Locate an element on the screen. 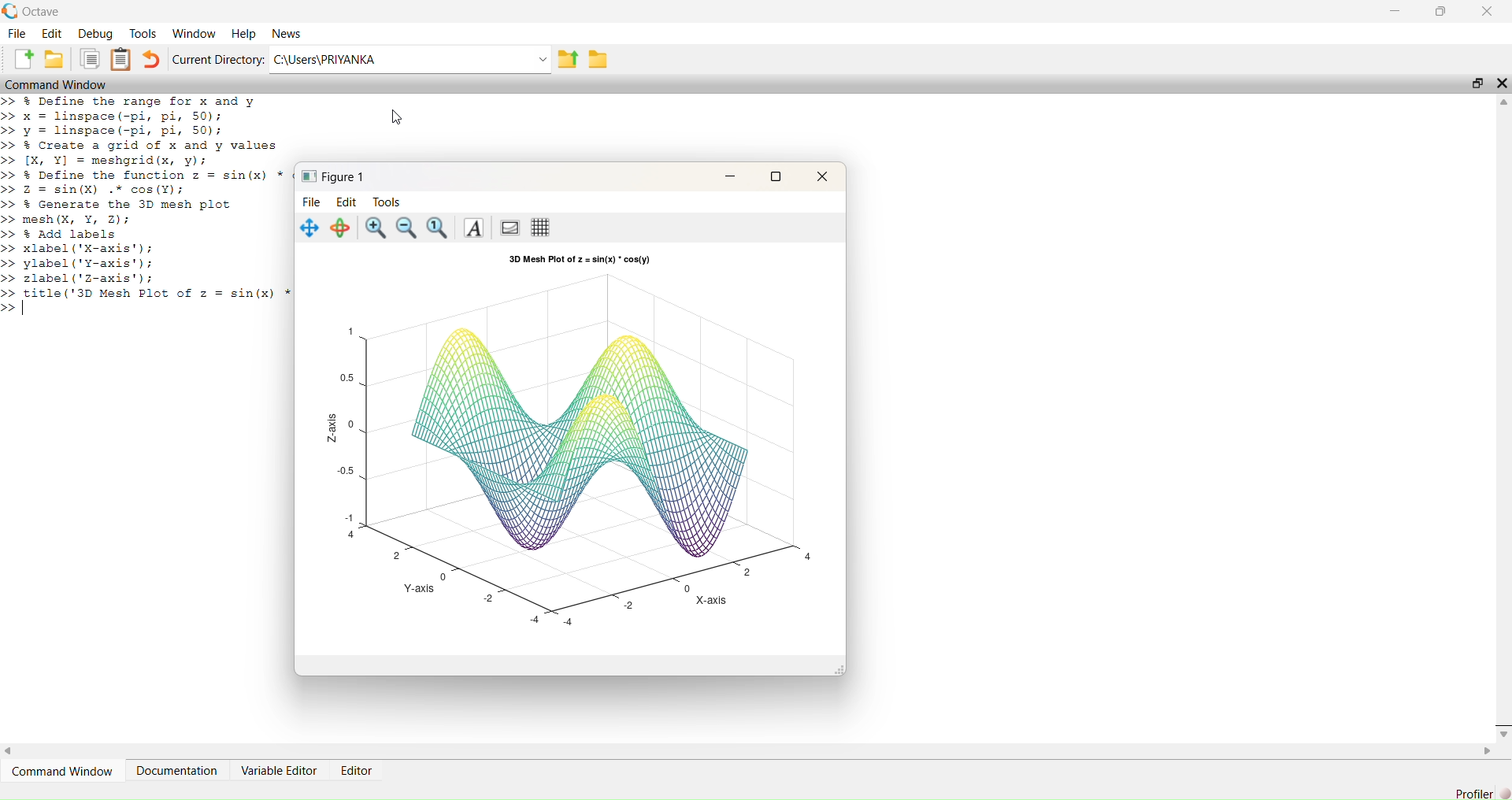 This screenshot has height=800, width=1512. >> % Define the range for x and y
>> x = linspace(-pi, pi, 50);

>> y = linspace(-pi, pi, 50);

>> & Create a grid of x and y values
>> [X, ¥] = meshgrid(x, y);

>> % Define the function z = sin(x)
>> 2 = sin(X) .* cos(¥);

>> % Generate the 3D mesh plot

>> mesh (X, ¥, 2);

>> & Add labels

>> xlabel('X-axis');

>> ylabel('Y-axis');

>> zlabel('z-axis');

>> preva Mesh Plot of z = sin(x)
>> is located at coordinates (142, 228).